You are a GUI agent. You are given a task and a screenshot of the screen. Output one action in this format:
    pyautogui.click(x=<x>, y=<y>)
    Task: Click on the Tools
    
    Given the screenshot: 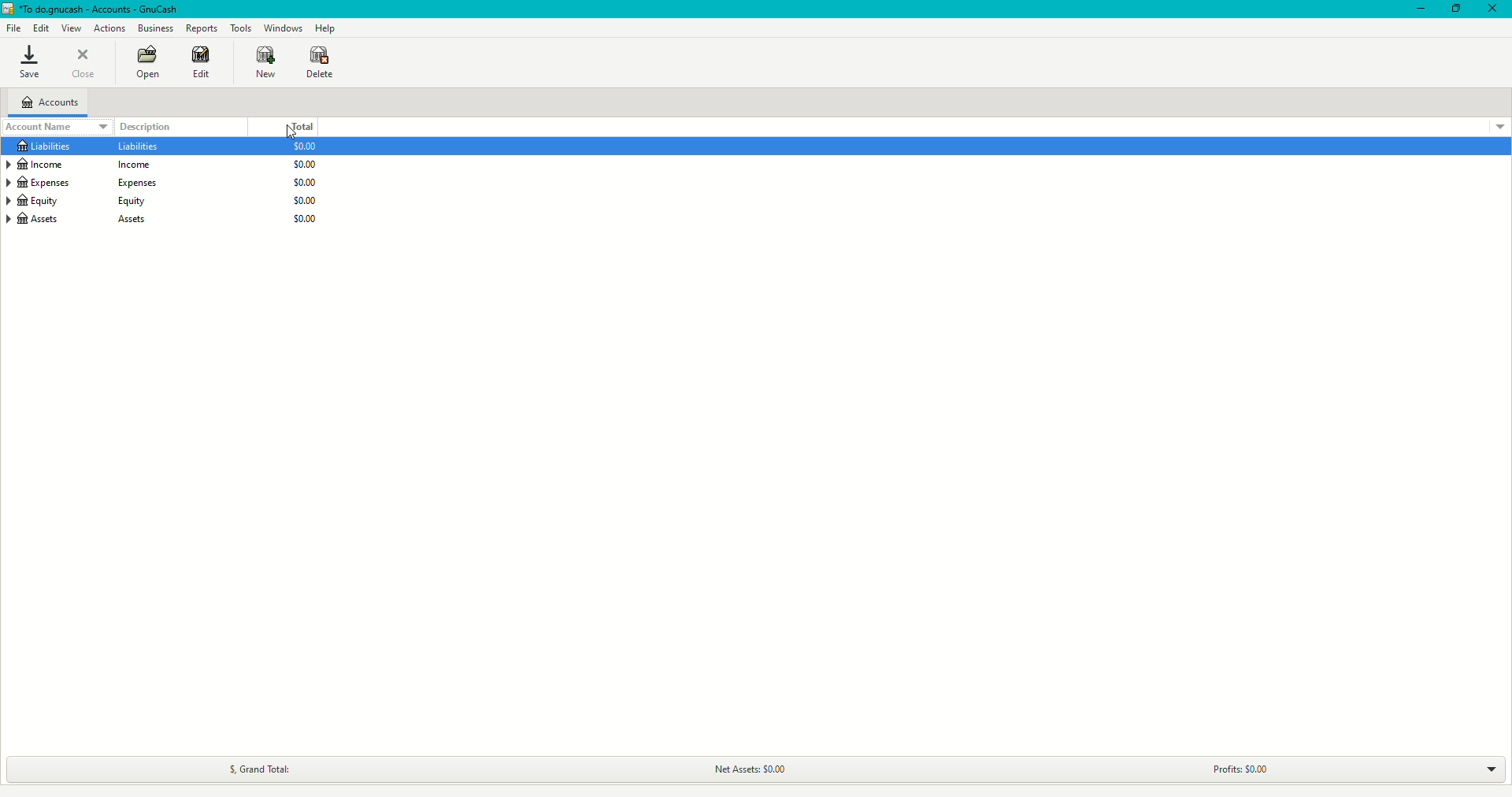 What is the action you would take?
    pyautogui.click(x=240, y=27)
    